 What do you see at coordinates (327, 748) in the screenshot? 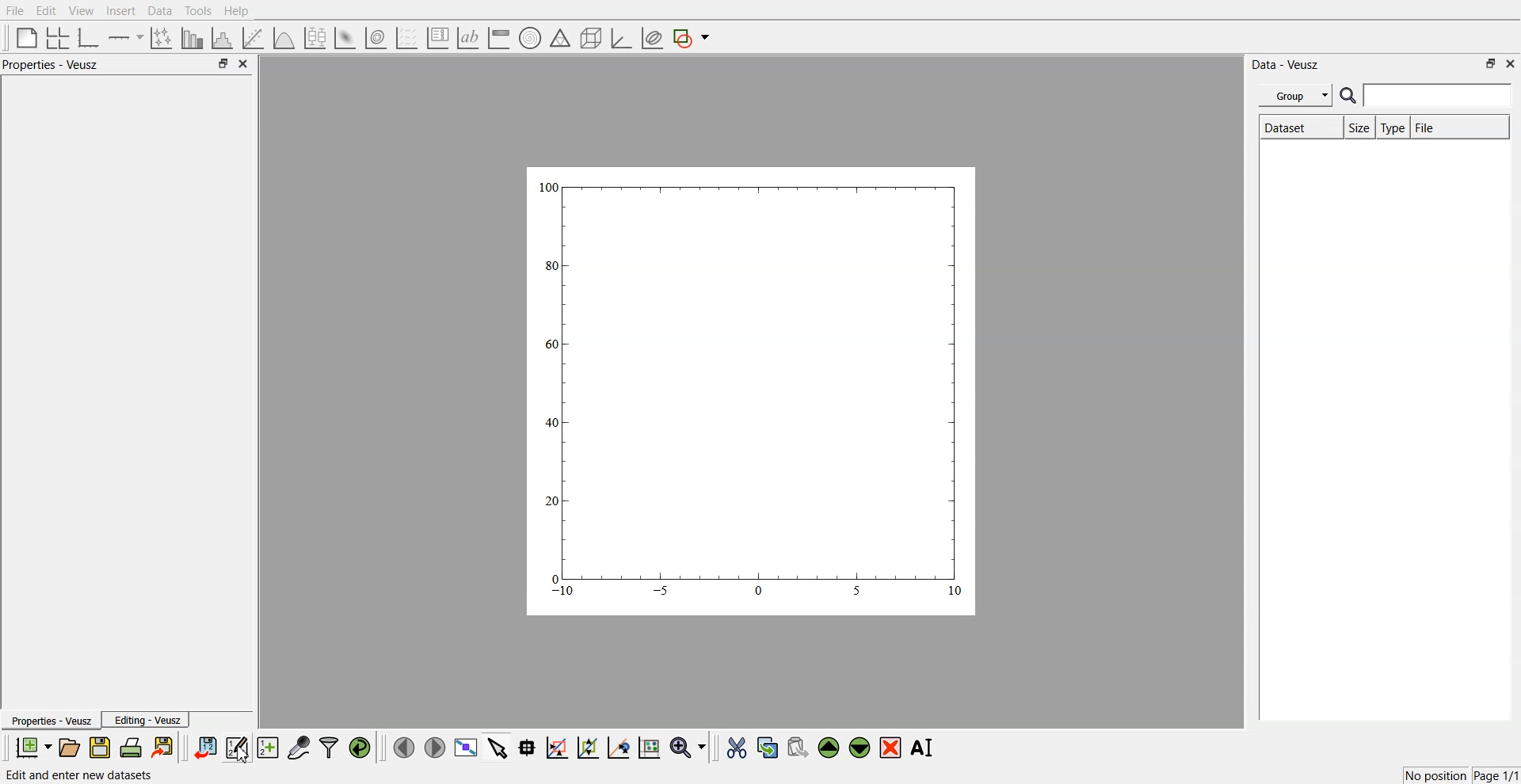
I see `filters` at bounding box center [327, 748].